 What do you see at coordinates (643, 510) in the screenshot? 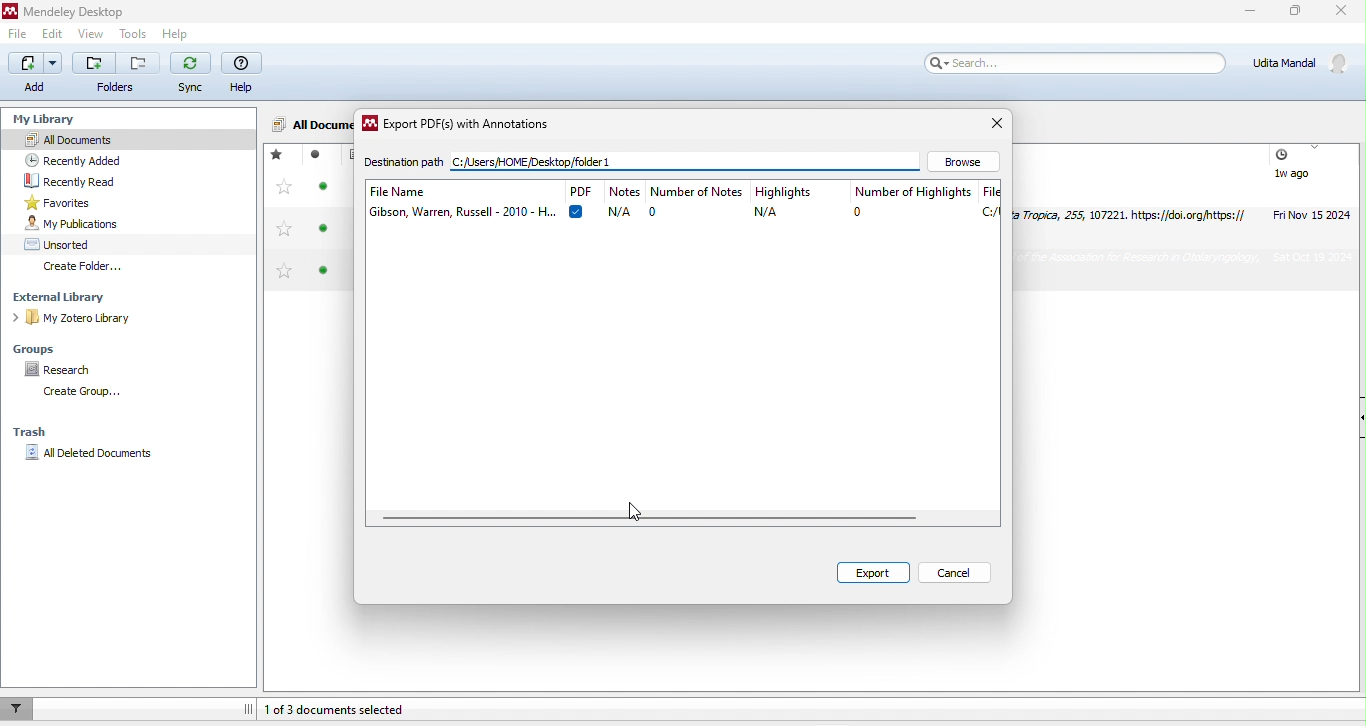
I see `cursor movement` at bounding box center [643, 510].